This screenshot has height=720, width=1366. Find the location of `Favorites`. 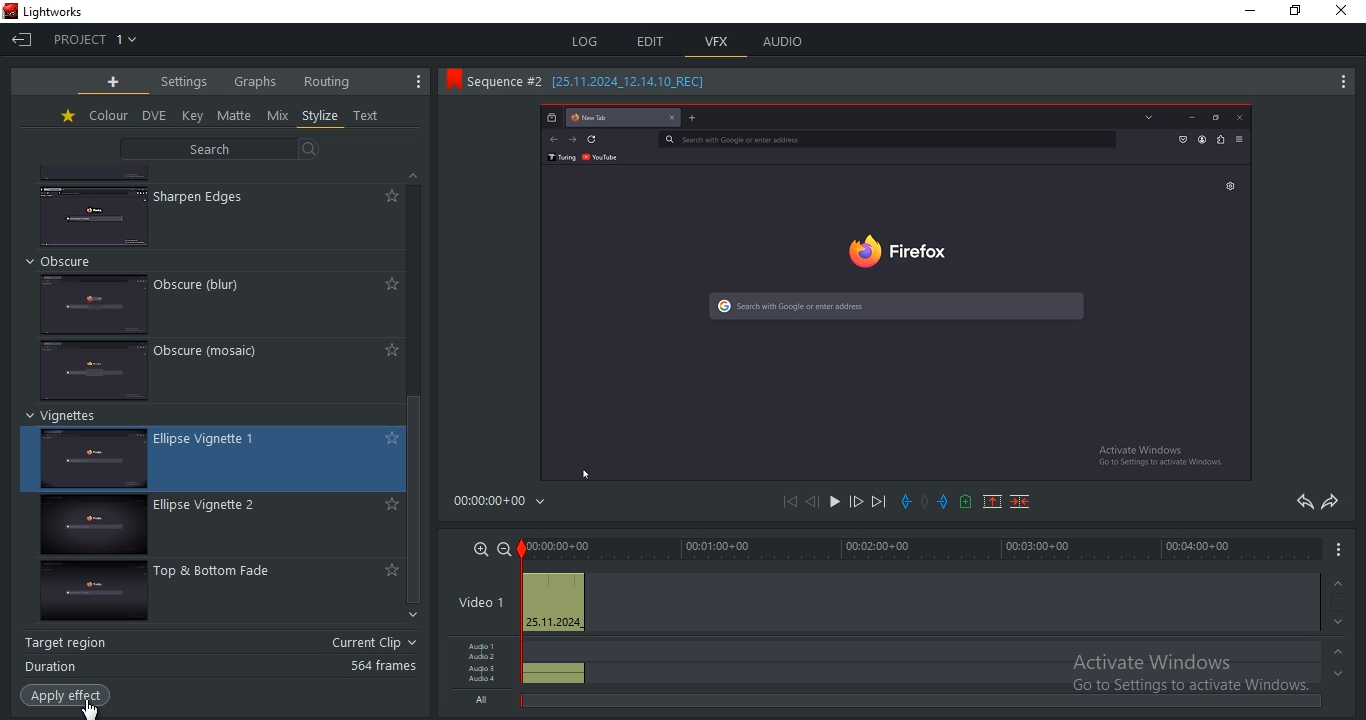

Favorites is located at coordinates (66, 118).